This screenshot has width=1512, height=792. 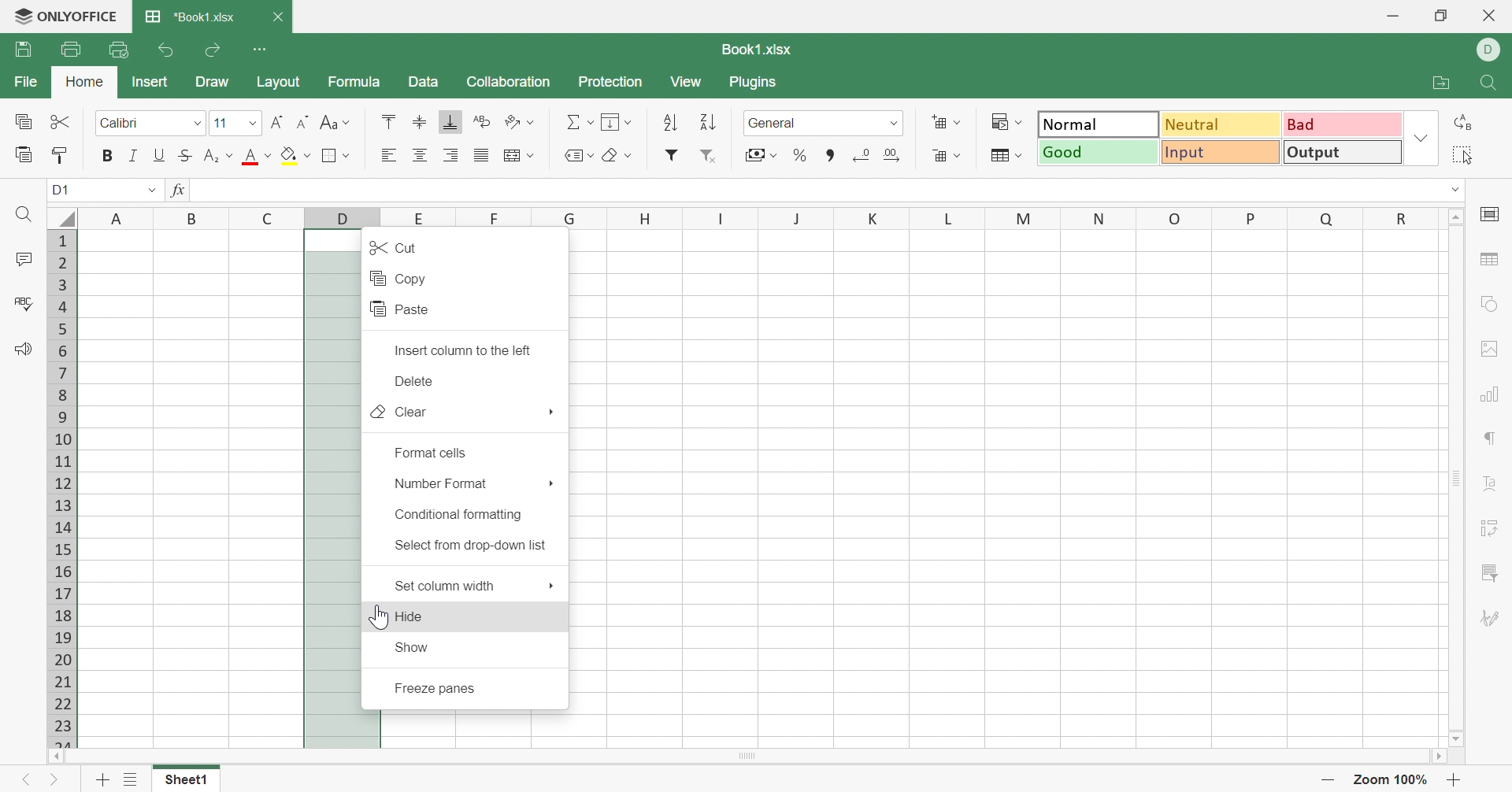 I want to click on Undo, so click(x=169, y=50).